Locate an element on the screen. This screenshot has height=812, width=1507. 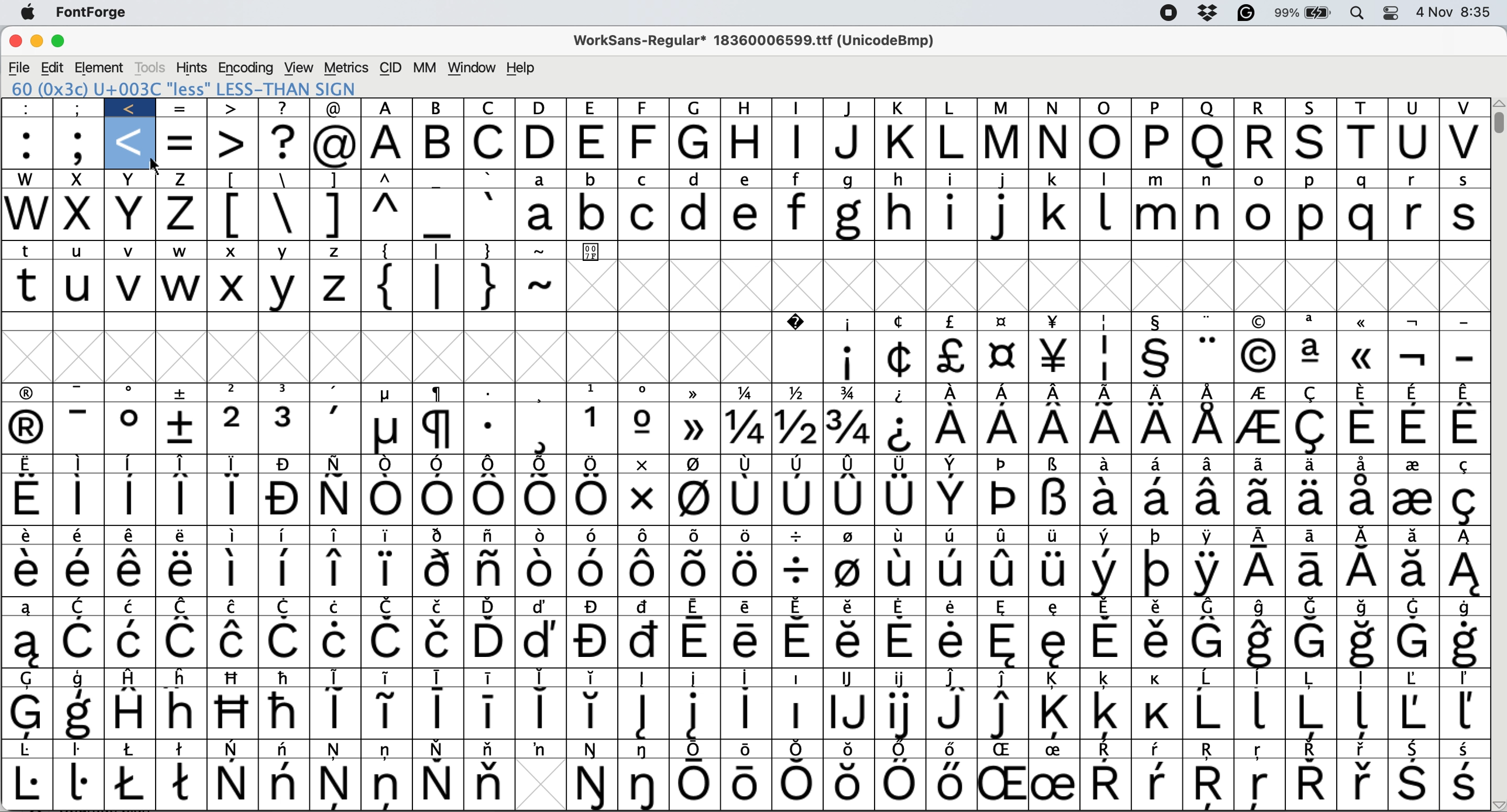
Symbol is located at coordinates (1107, 426).